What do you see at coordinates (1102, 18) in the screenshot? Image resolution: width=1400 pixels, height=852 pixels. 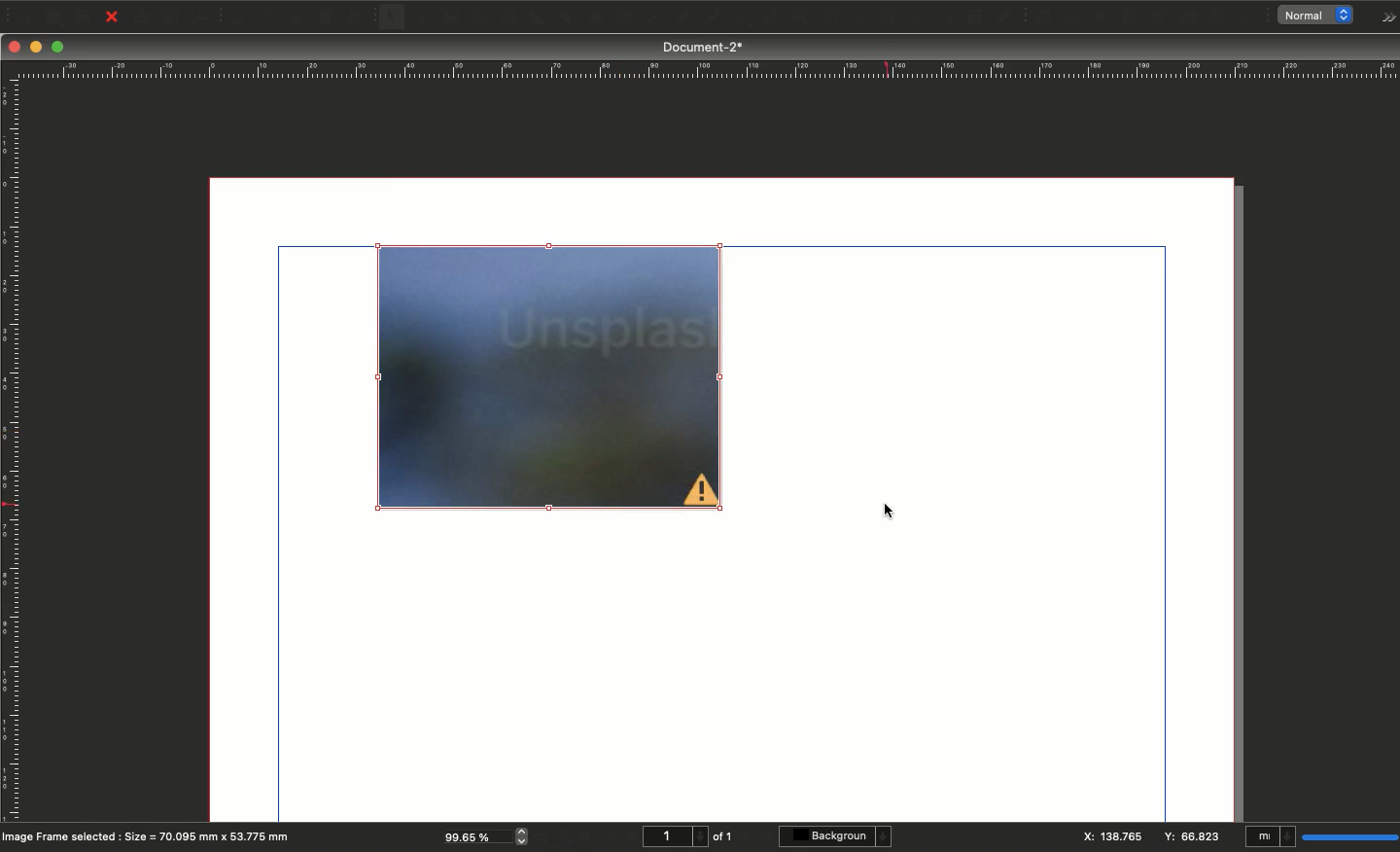 I see `PDF radio button` at bounding box center [1102, 18].